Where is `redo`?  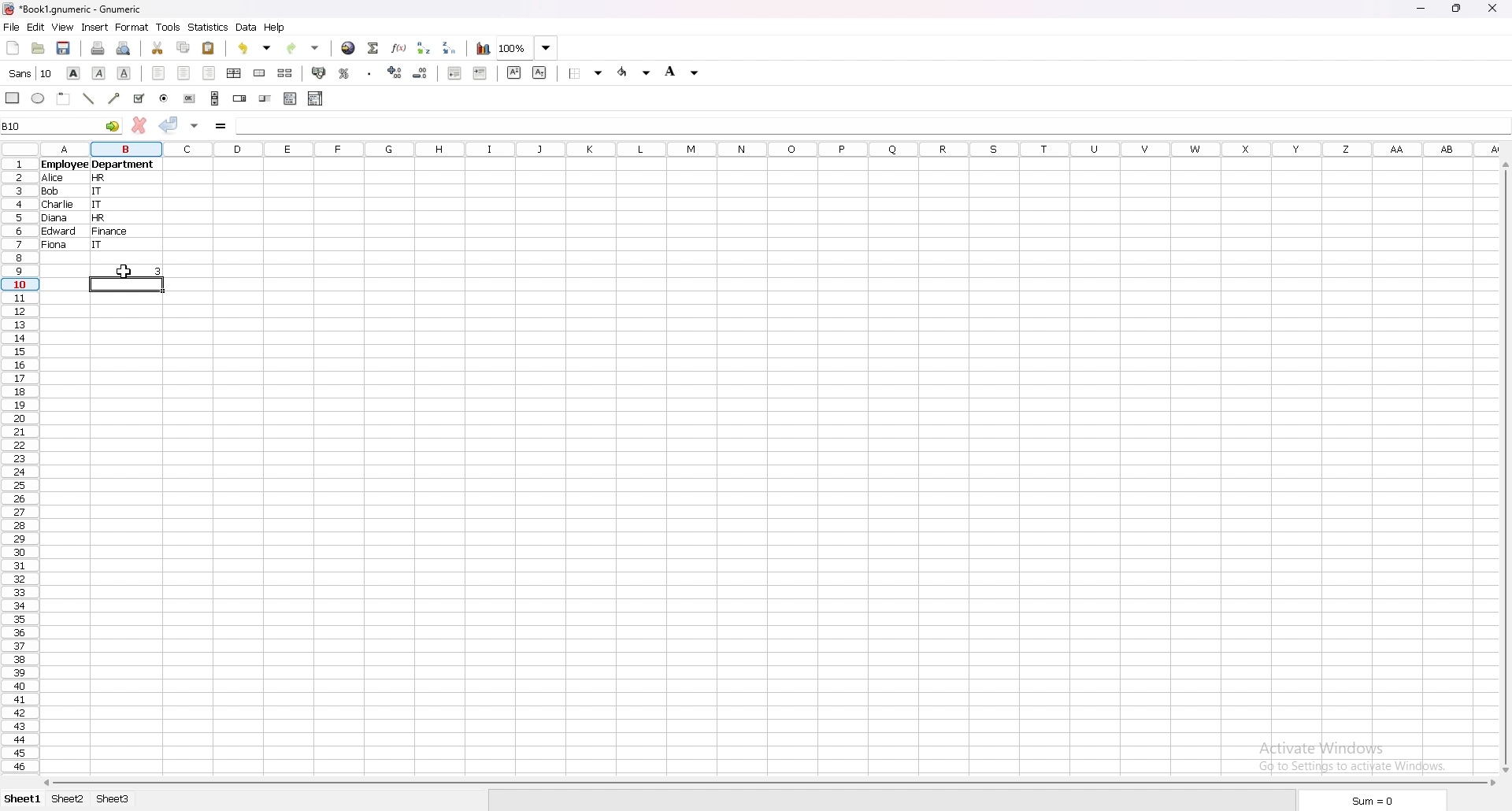
redo is located at coordinates (304, 46).